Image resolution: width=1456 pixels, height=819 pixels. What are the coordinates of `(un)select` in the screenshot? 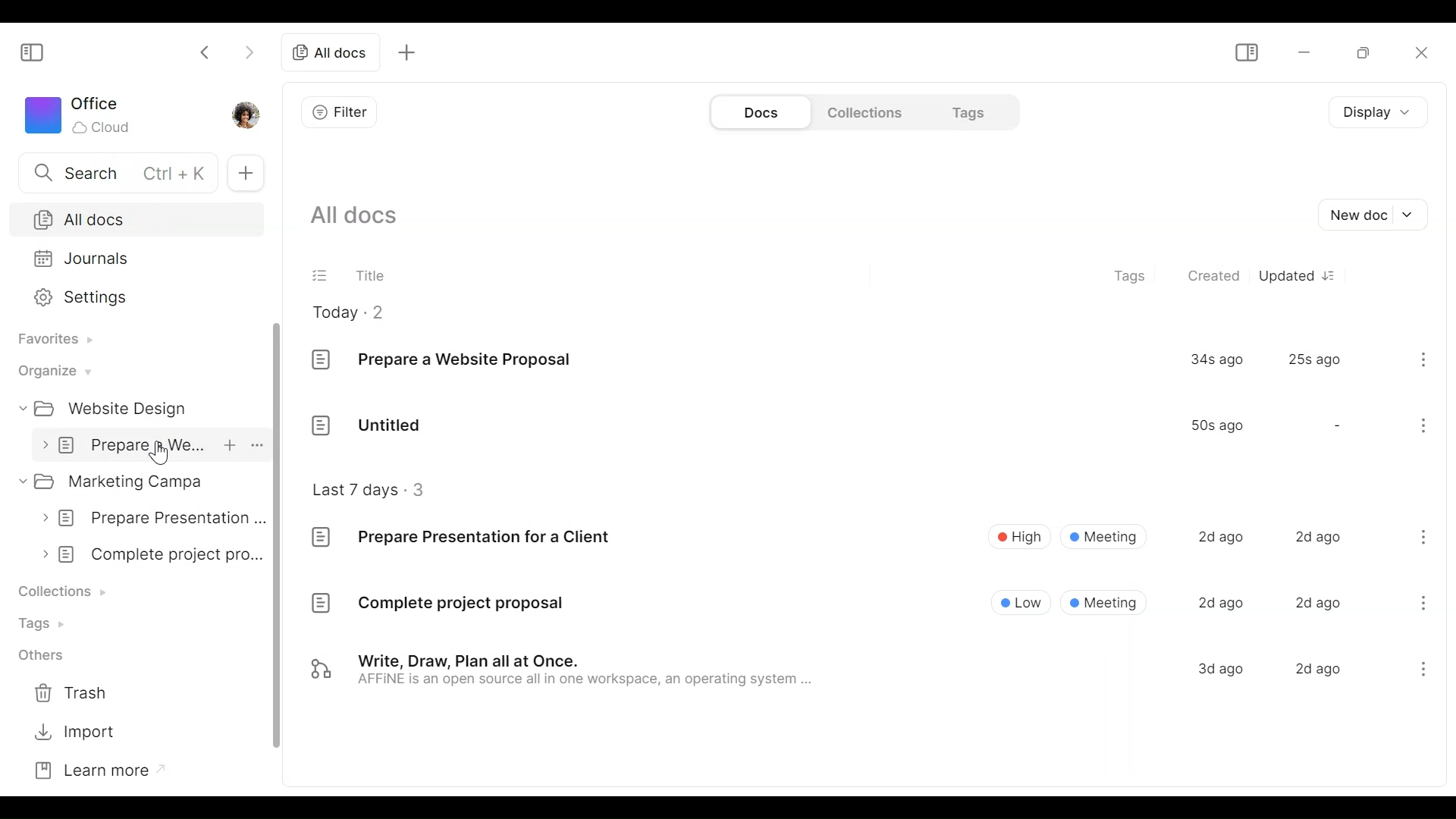 It's located at (318, 277).